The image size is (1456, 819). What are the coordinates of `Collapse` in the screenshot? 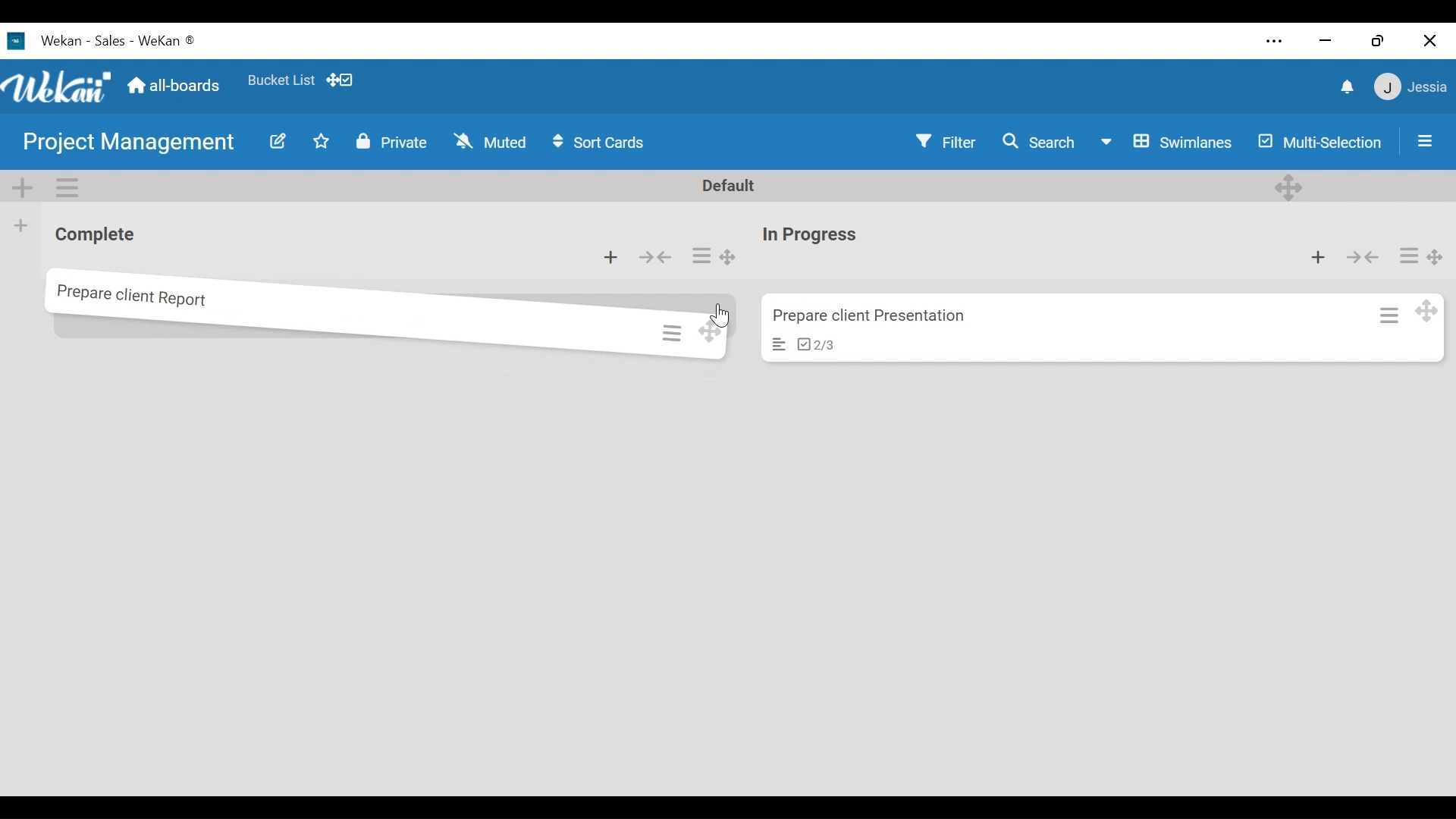 It's located at (1364, 258).